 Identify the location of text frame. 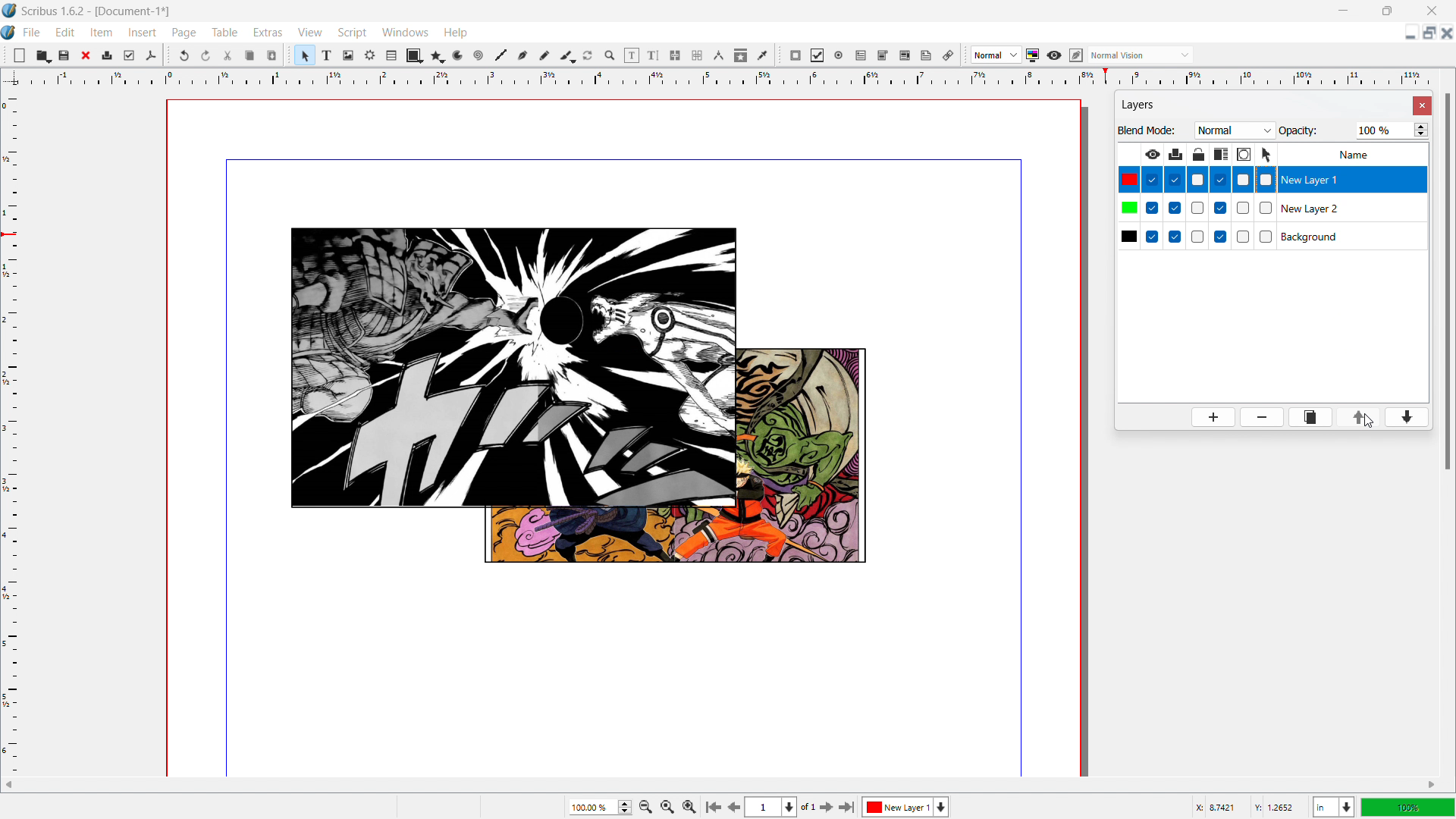
(328, 55).